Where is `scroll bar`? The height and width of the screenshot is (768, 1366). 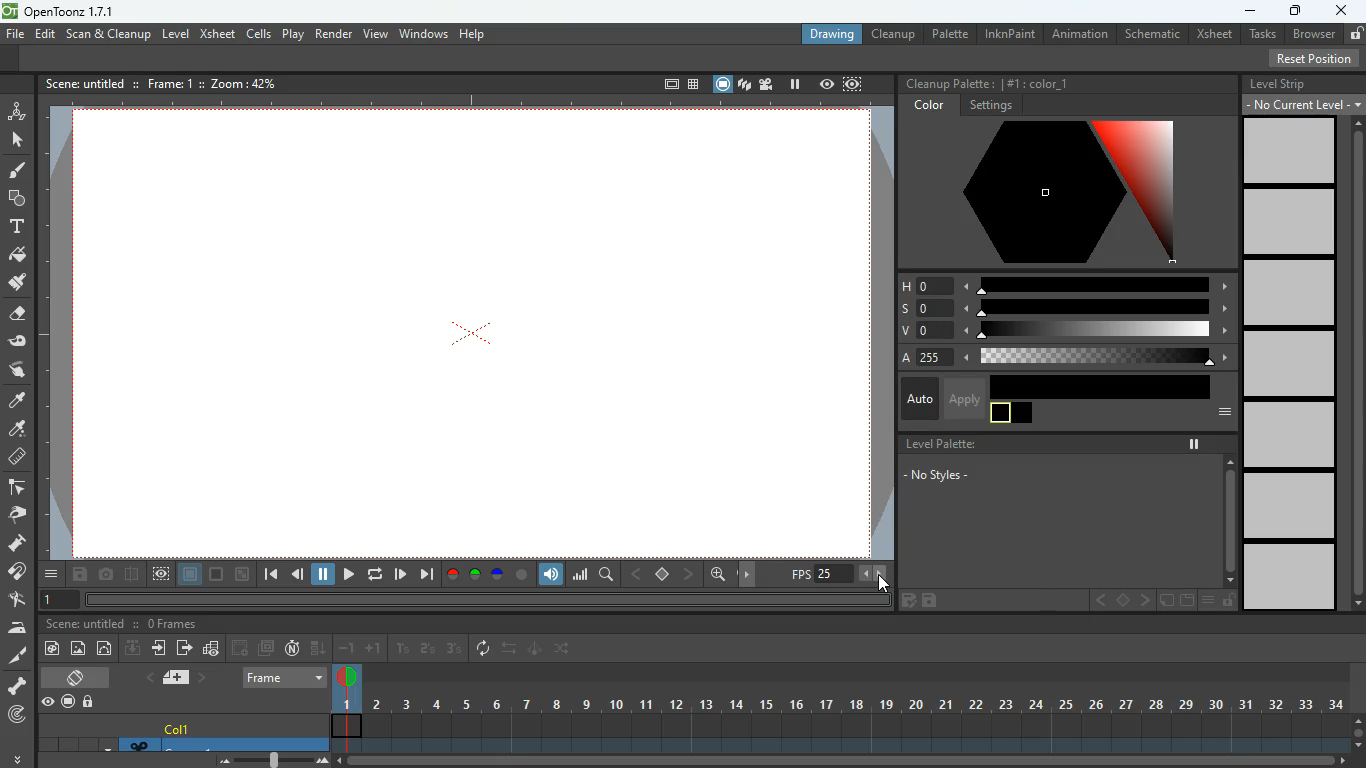
scroll bar is located at coordinates (1223, 520).